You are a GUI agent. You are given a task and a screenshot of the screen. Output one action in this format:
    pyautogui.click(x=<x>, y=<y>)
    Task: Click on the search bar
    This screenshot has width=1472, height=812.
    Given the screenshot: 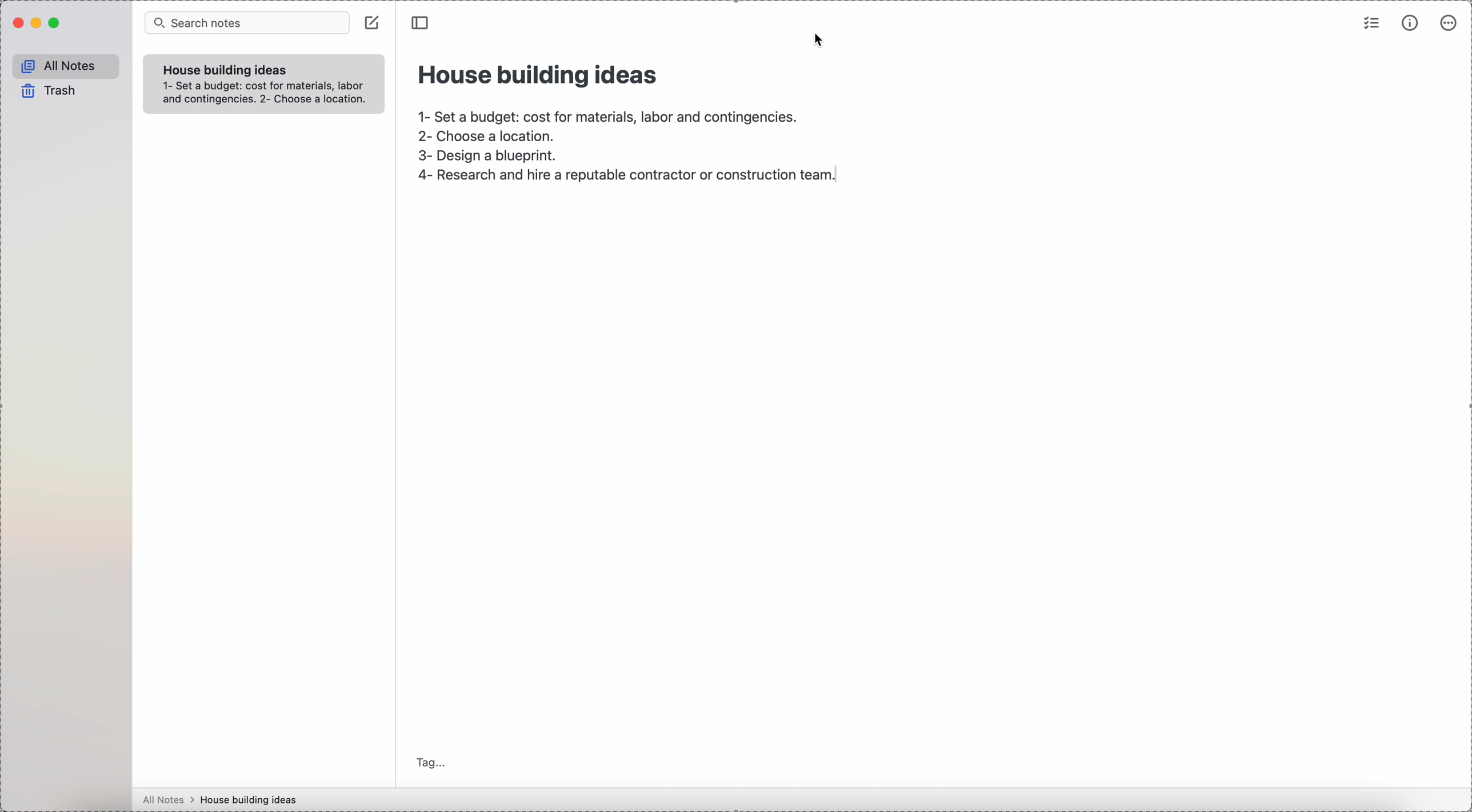 What is the action you would take?
    pyautogui.click(x=246, y=23)
    